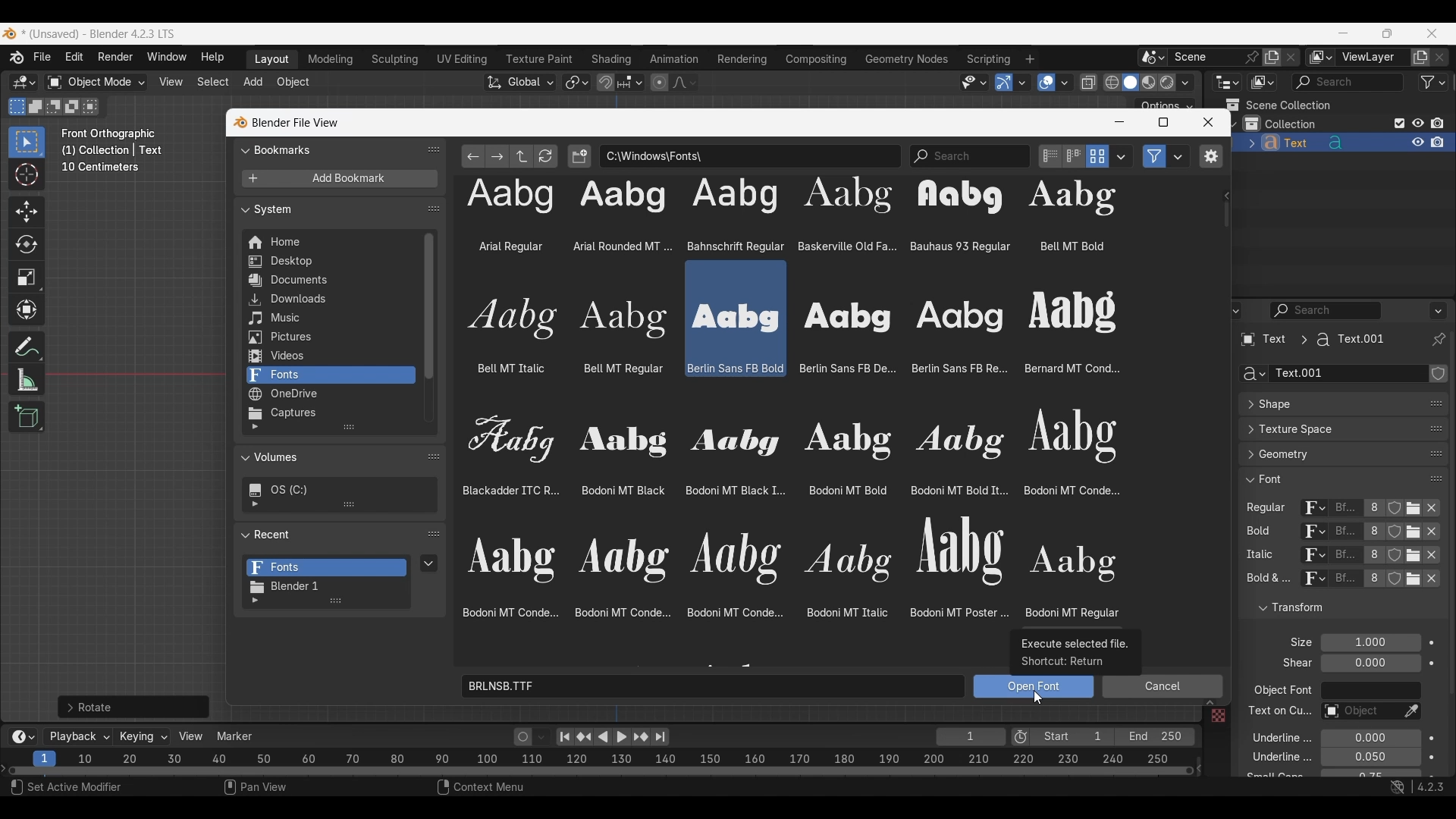 The width and height of the screenshot is (1456, 819). What do you see at coordinates (1440, 57) in the screenshot?
I see `Remove view layer` at bounding box center [1440, 57].